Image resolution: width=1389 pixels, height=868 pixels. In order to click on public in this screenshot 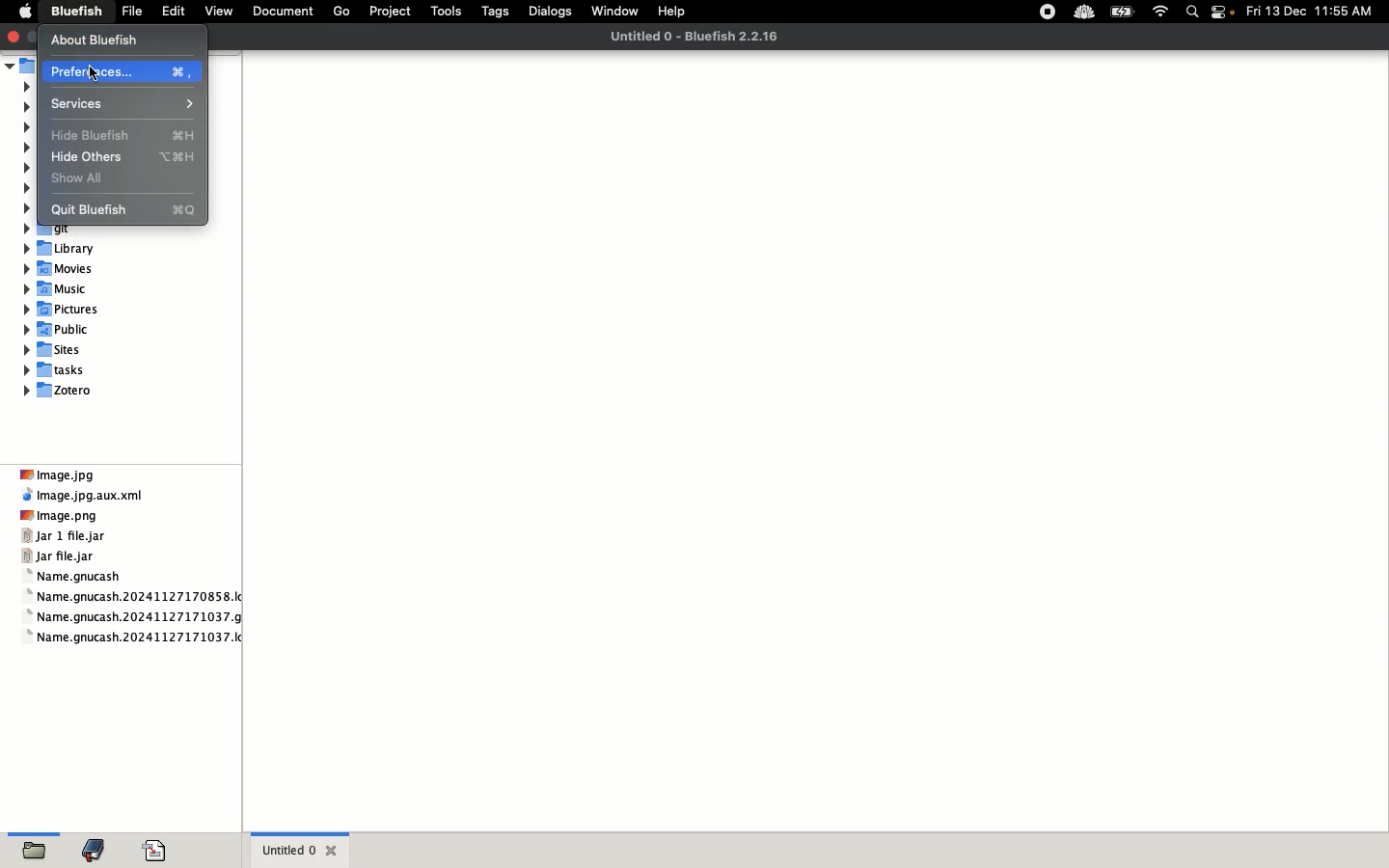, I will do `click(61, 328)`.